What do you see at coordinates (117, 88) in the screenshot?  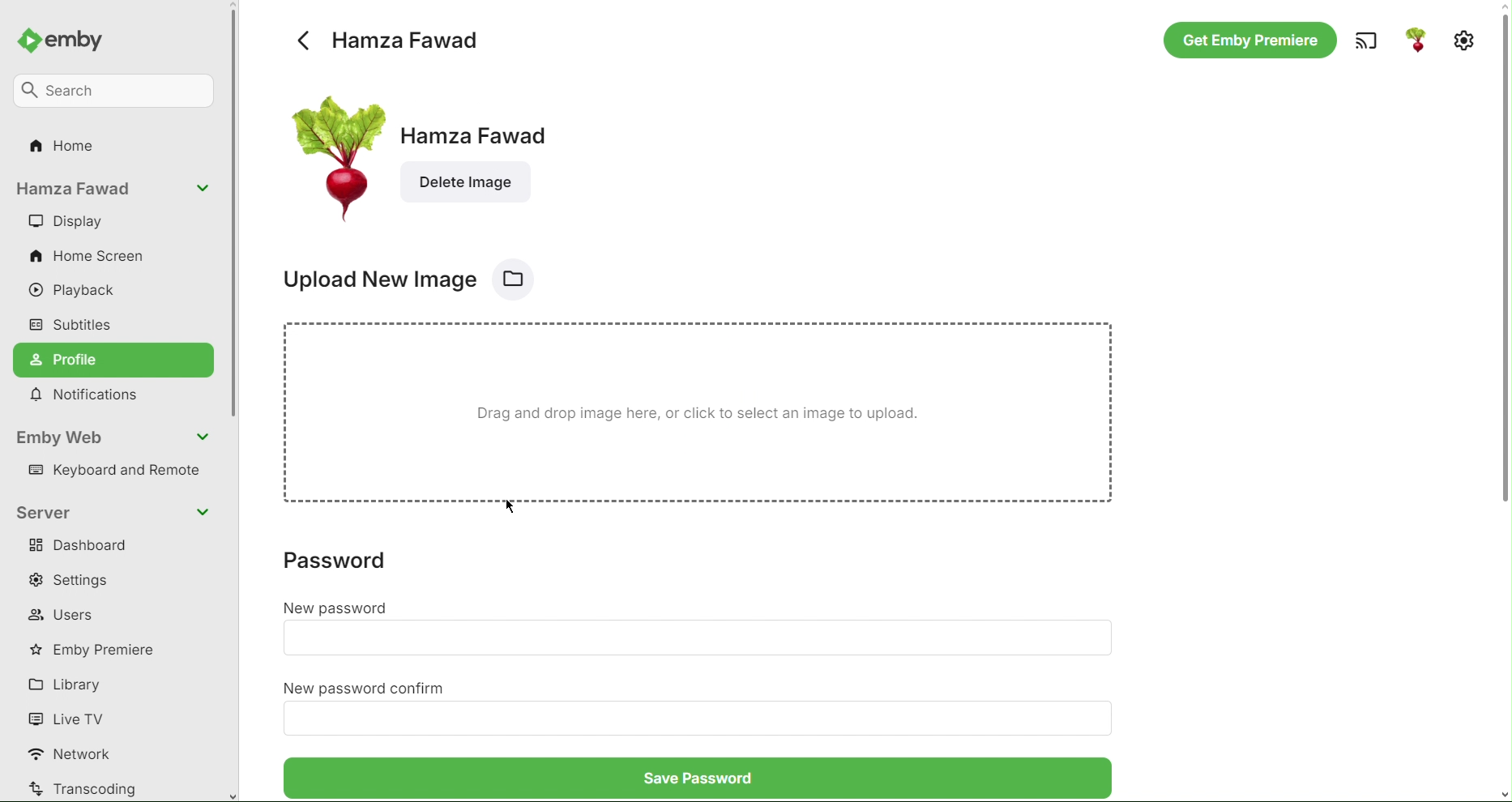 I see `Search` at bounding box center [117, 88].